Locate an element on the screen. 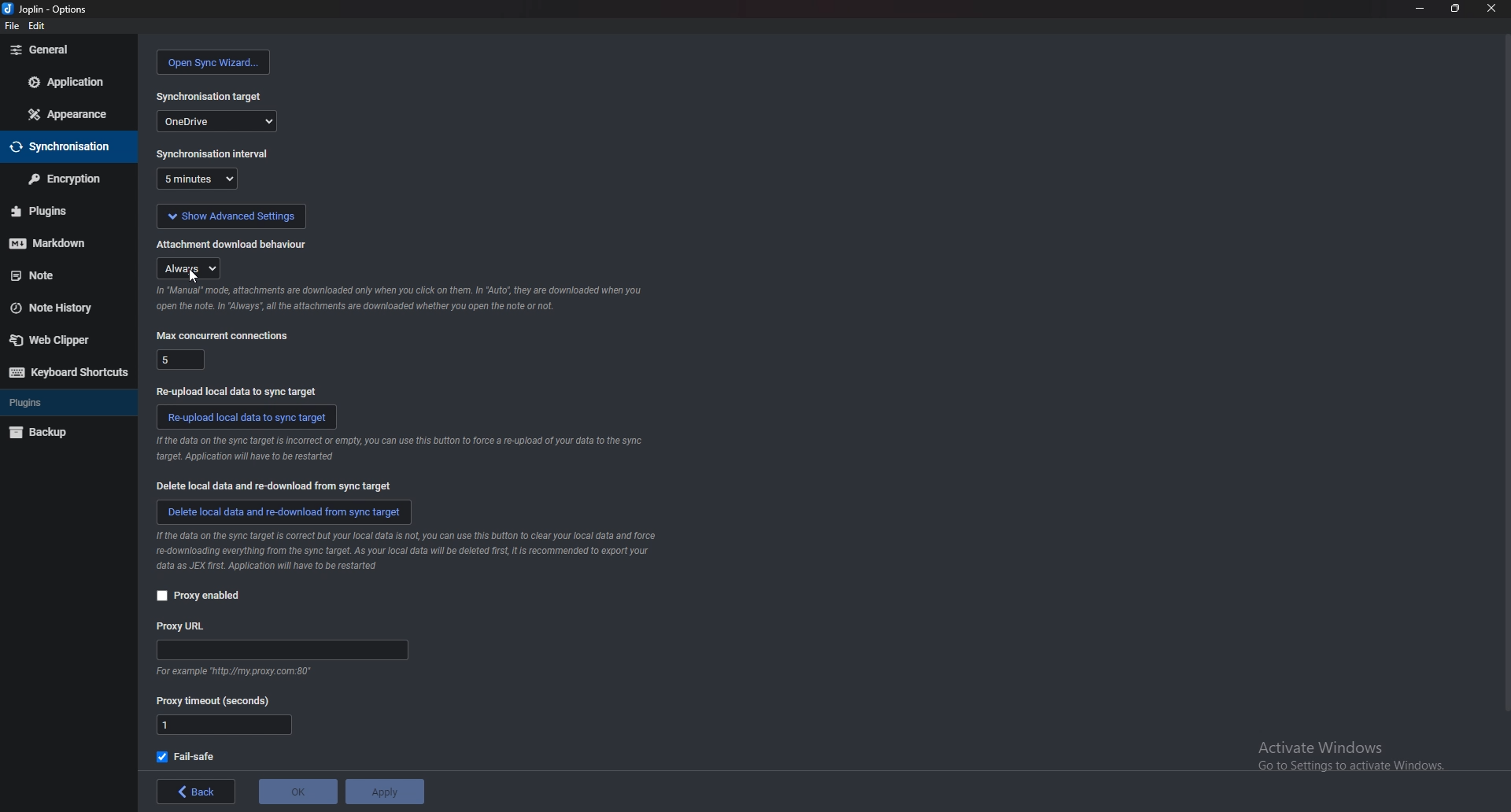  info is located at coordinates (403, 299).